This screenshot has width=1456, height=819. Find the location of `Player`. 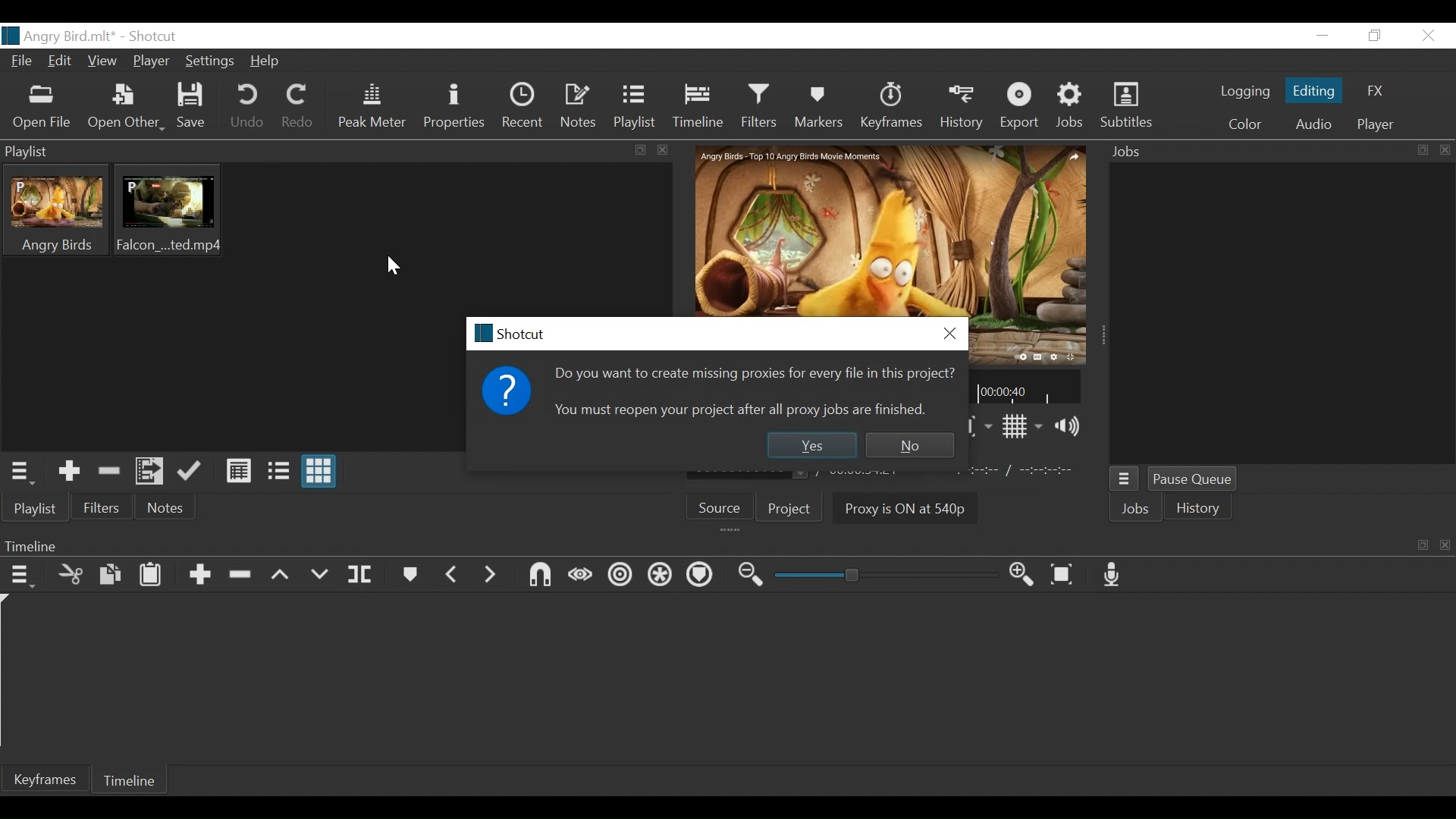

Player is located at coordinates (1375, 124).